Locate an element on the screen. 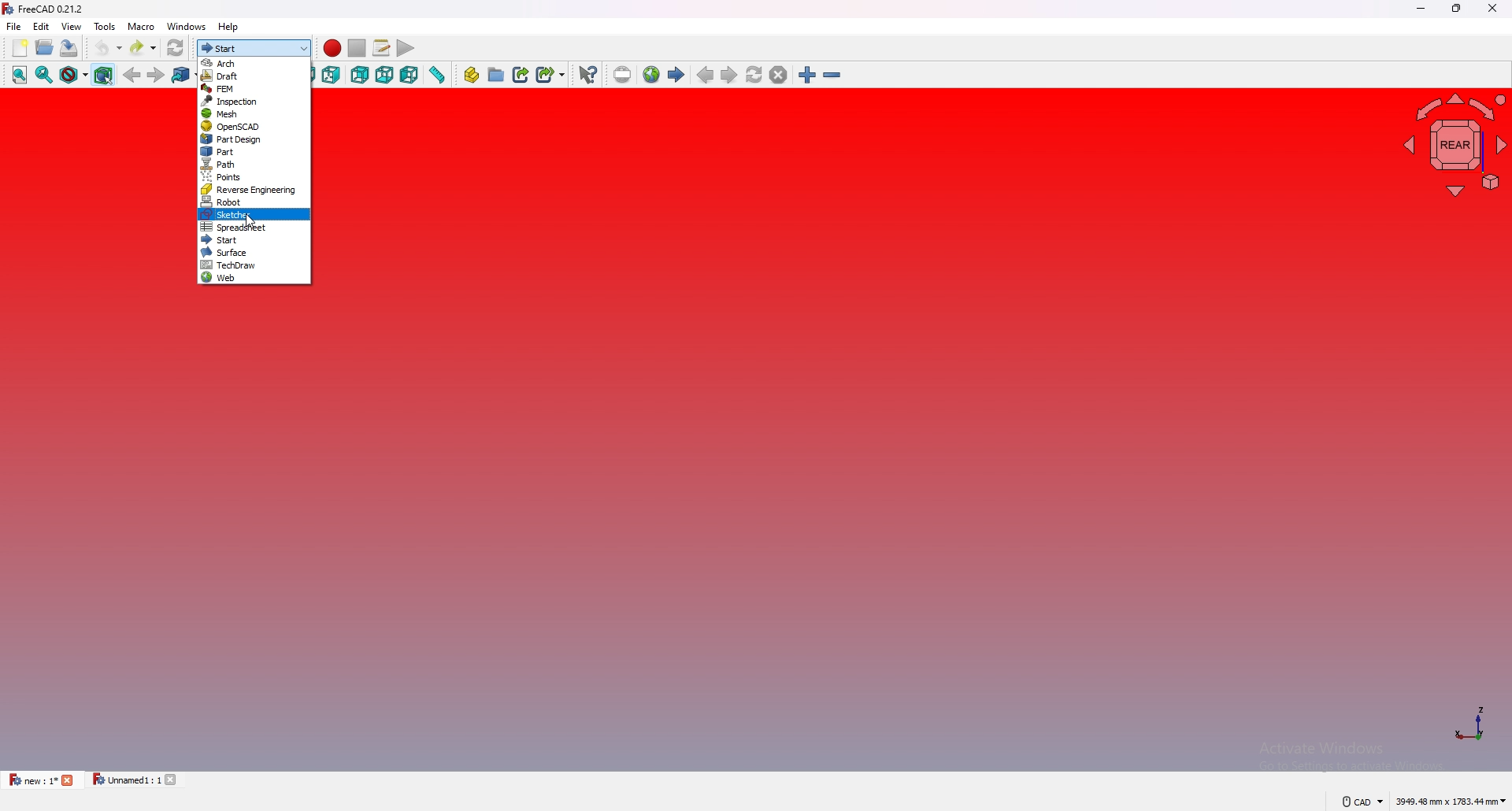  set url is located at coordinates (623, 75).